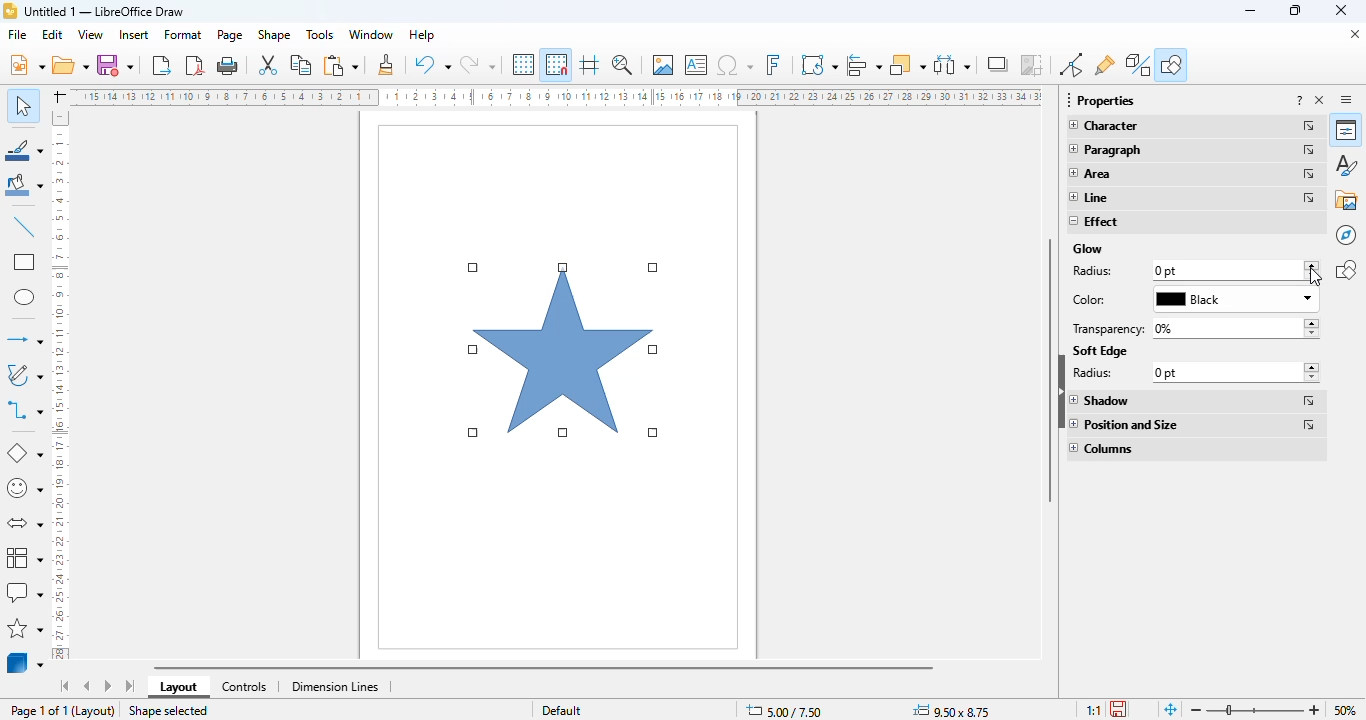  Describe the element at coordinates (385, 65) in the screenshot. I see `clone formatting` at that location.